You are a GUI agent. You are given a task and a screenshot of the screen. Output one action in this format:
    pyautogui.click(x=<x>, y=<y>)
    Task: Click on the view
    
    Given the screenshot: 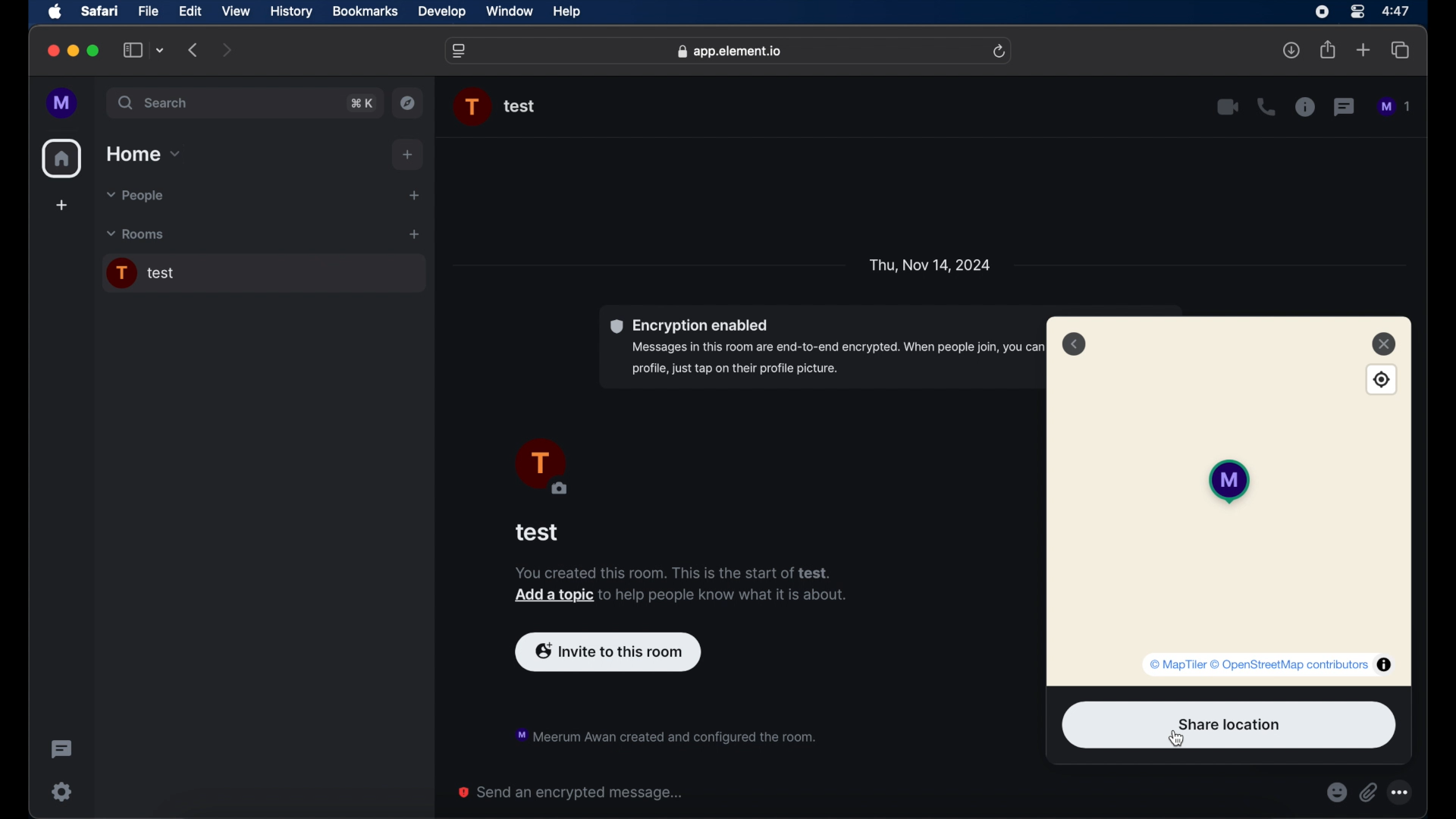 What is the action you would take?
    pyautogui.click(x=237, y=11)
    